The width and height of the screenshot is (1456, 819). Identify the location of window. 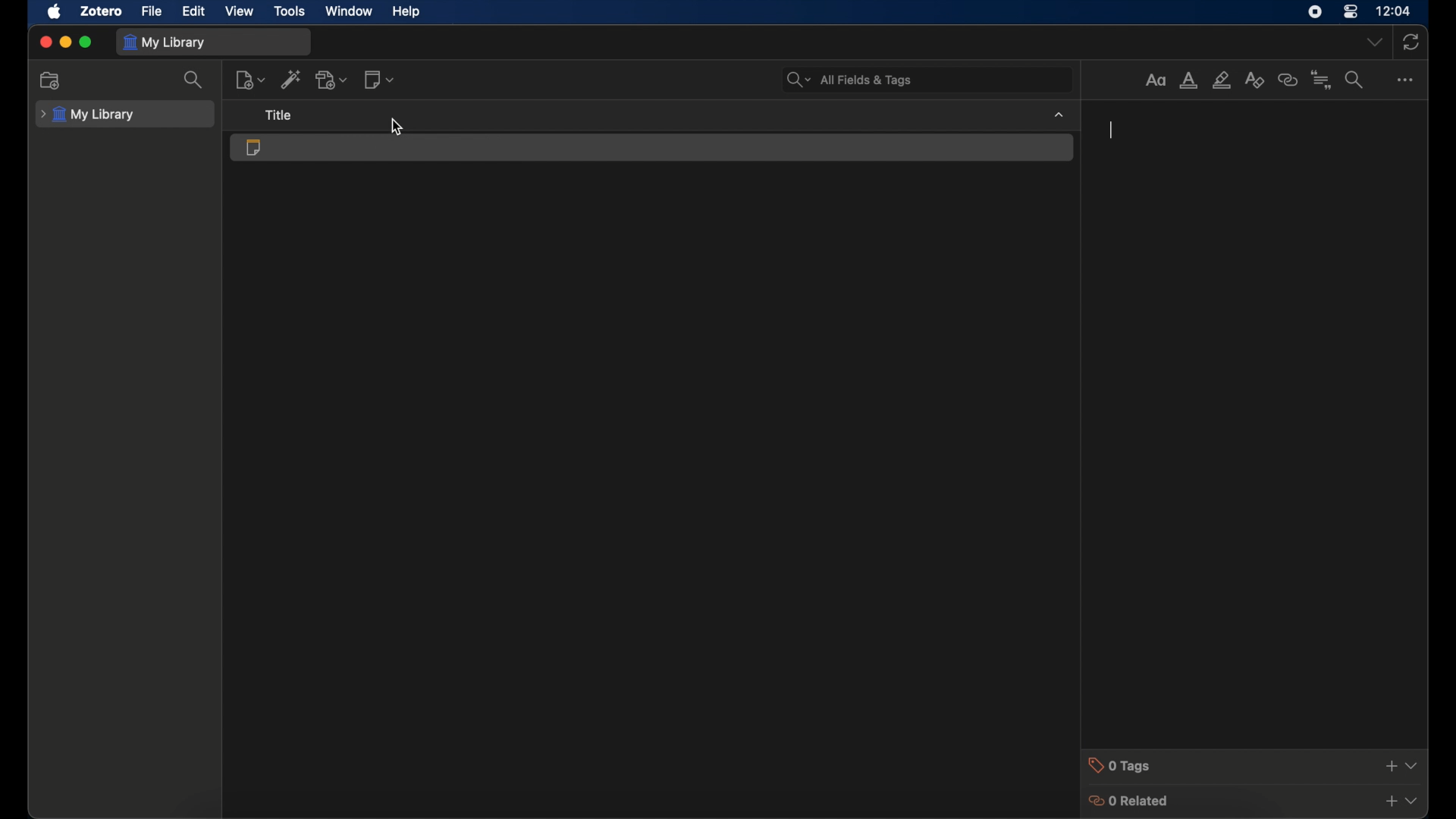
(347, 11).